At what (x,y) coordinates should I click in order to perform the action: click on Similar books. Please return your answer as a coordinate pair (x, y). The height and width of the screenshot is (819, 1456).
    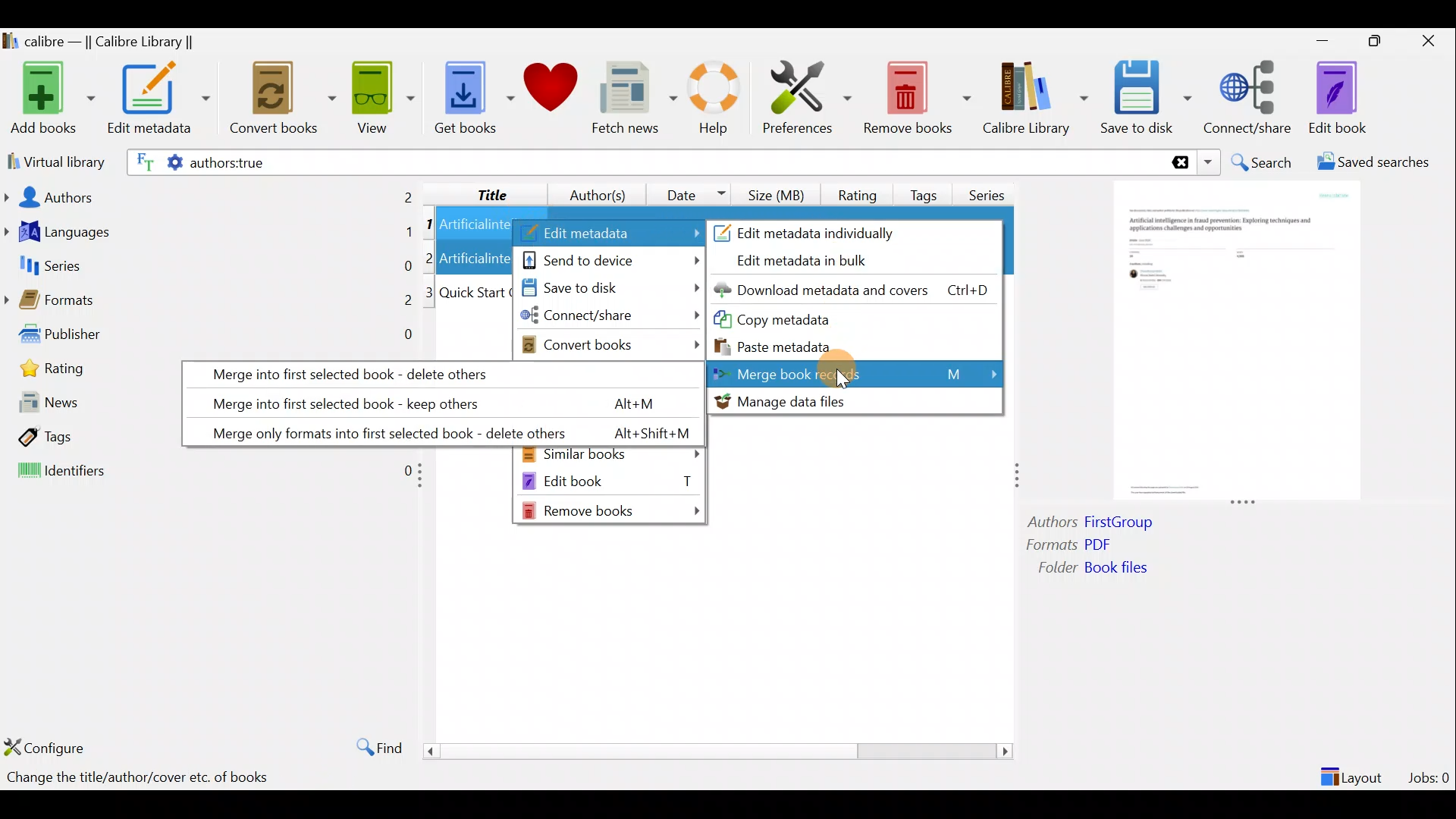
    Looking at the image, I should click on (611, 456).